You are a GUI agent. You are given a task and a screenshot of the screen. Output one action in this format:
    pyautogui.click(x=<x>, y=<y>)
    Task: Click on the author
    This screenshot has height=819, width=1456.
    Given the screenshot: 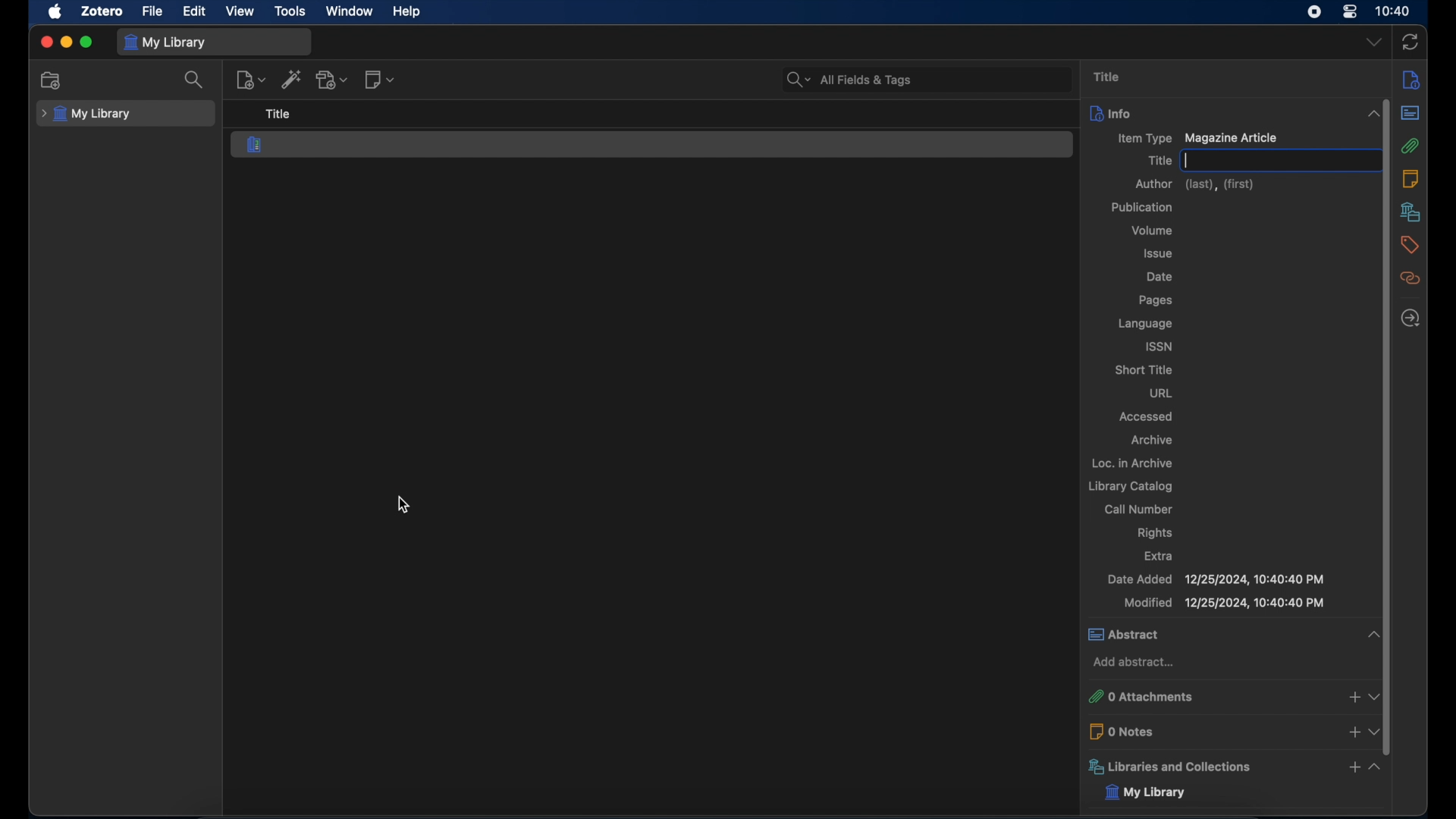 What is the action you would take?
    pyautogui.click(x=1196, y=184)
    